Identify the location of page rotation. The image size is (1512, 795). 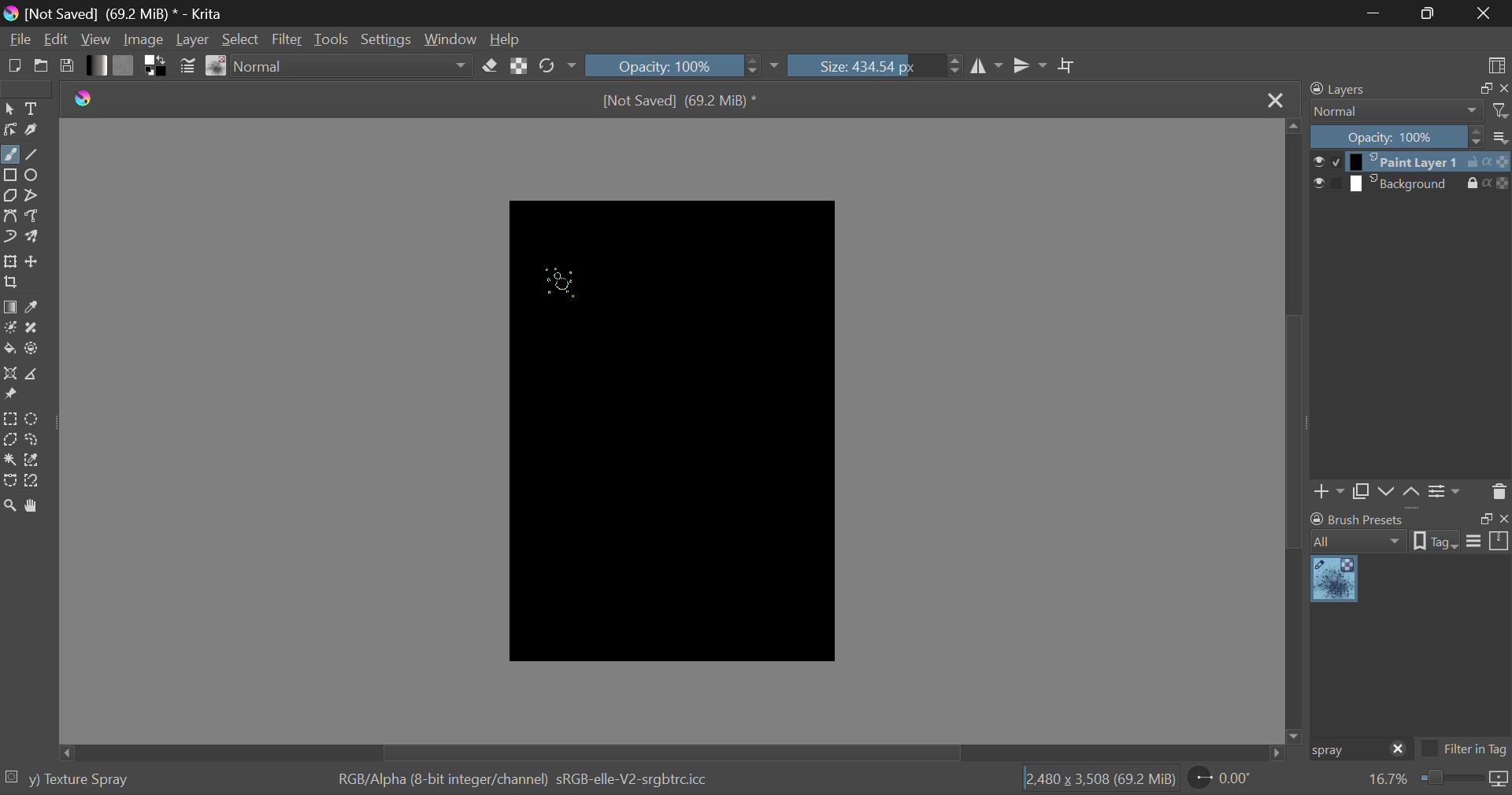
(1221, 777).